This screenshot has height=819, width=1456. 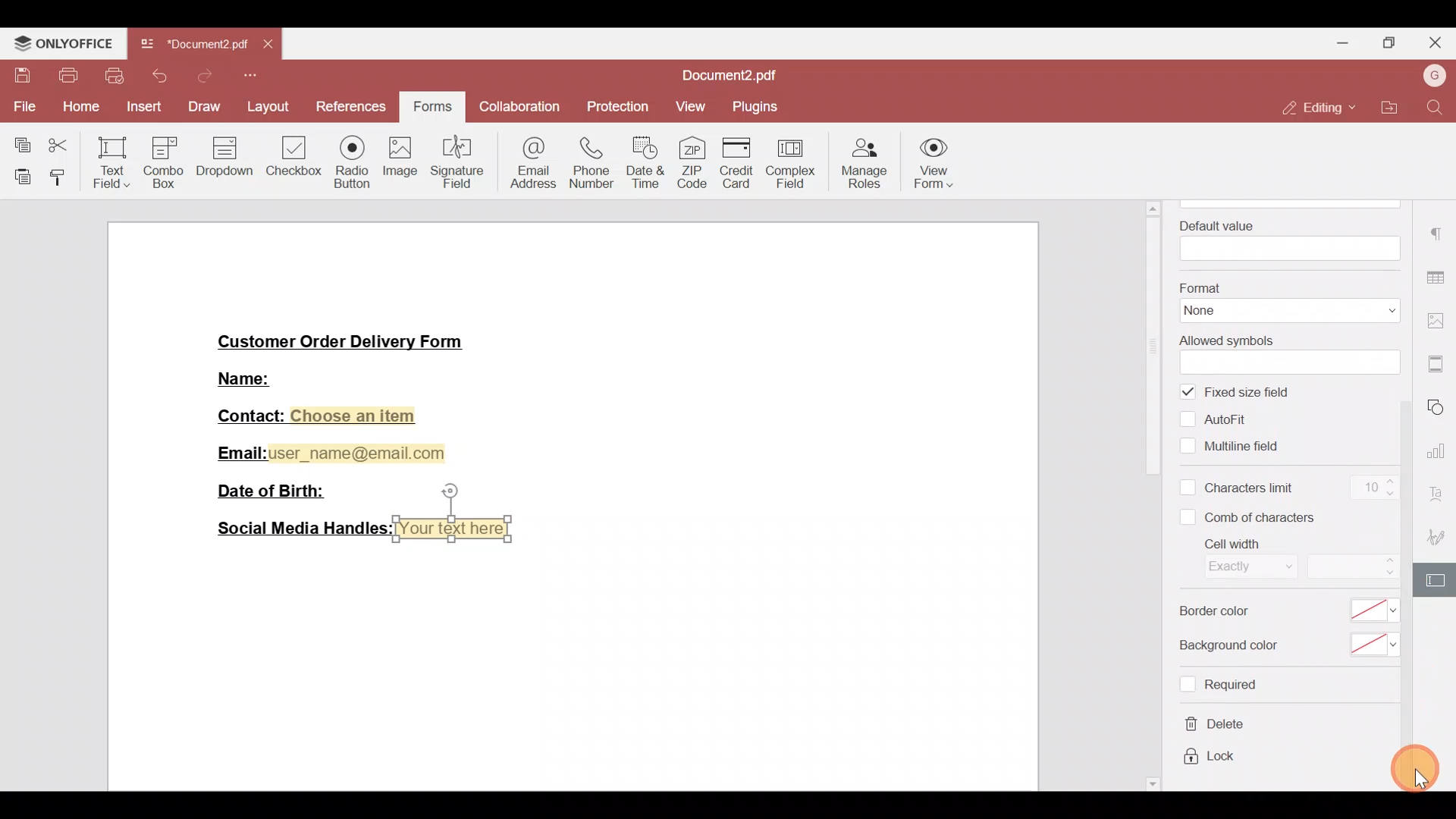 What do you see at coordinates (66, 76) in the screenshot?
I see `Print file` at bounding box center [66, 76].